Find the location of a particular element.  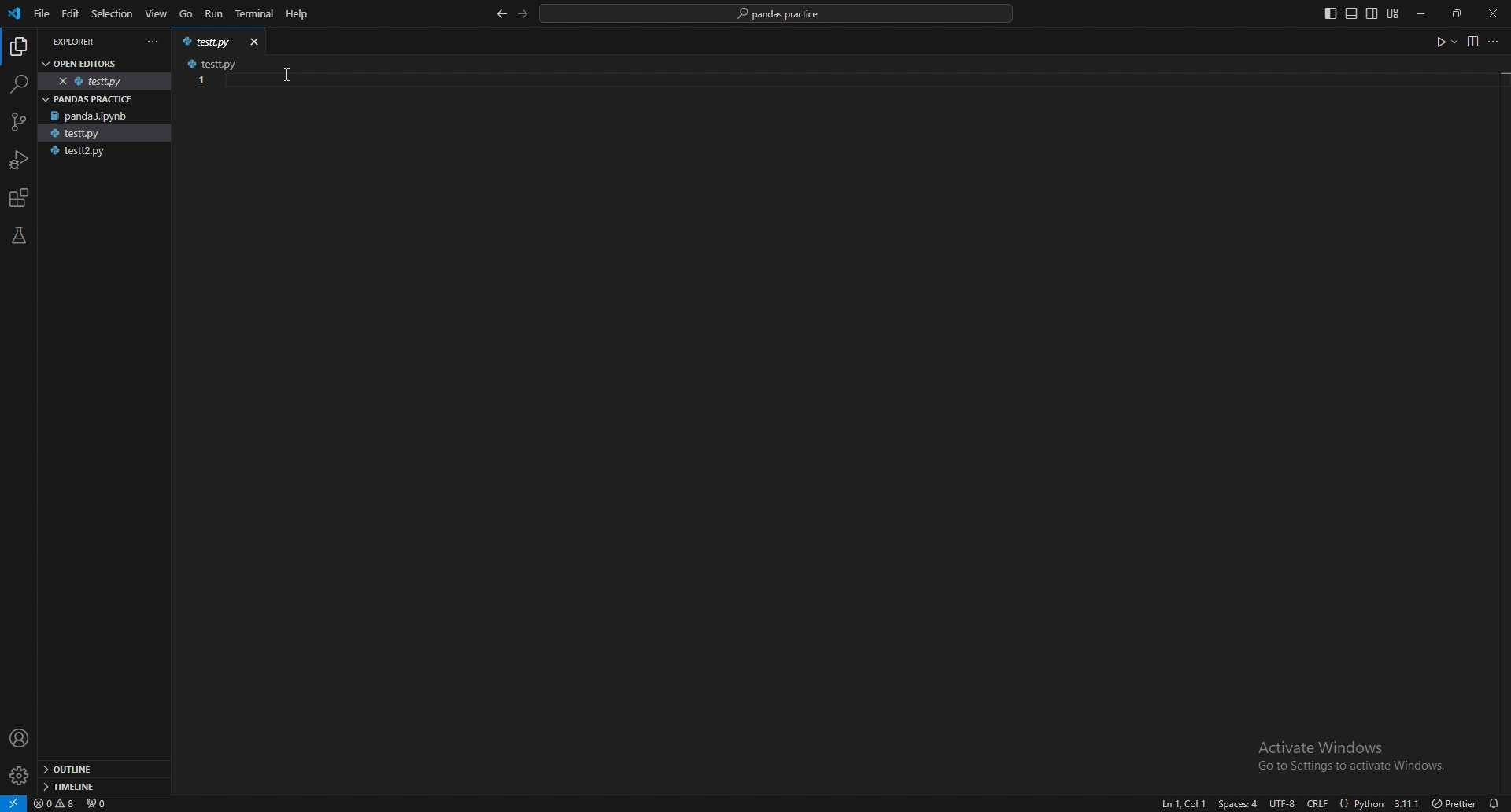

close window is located at coordinates (256, 41).